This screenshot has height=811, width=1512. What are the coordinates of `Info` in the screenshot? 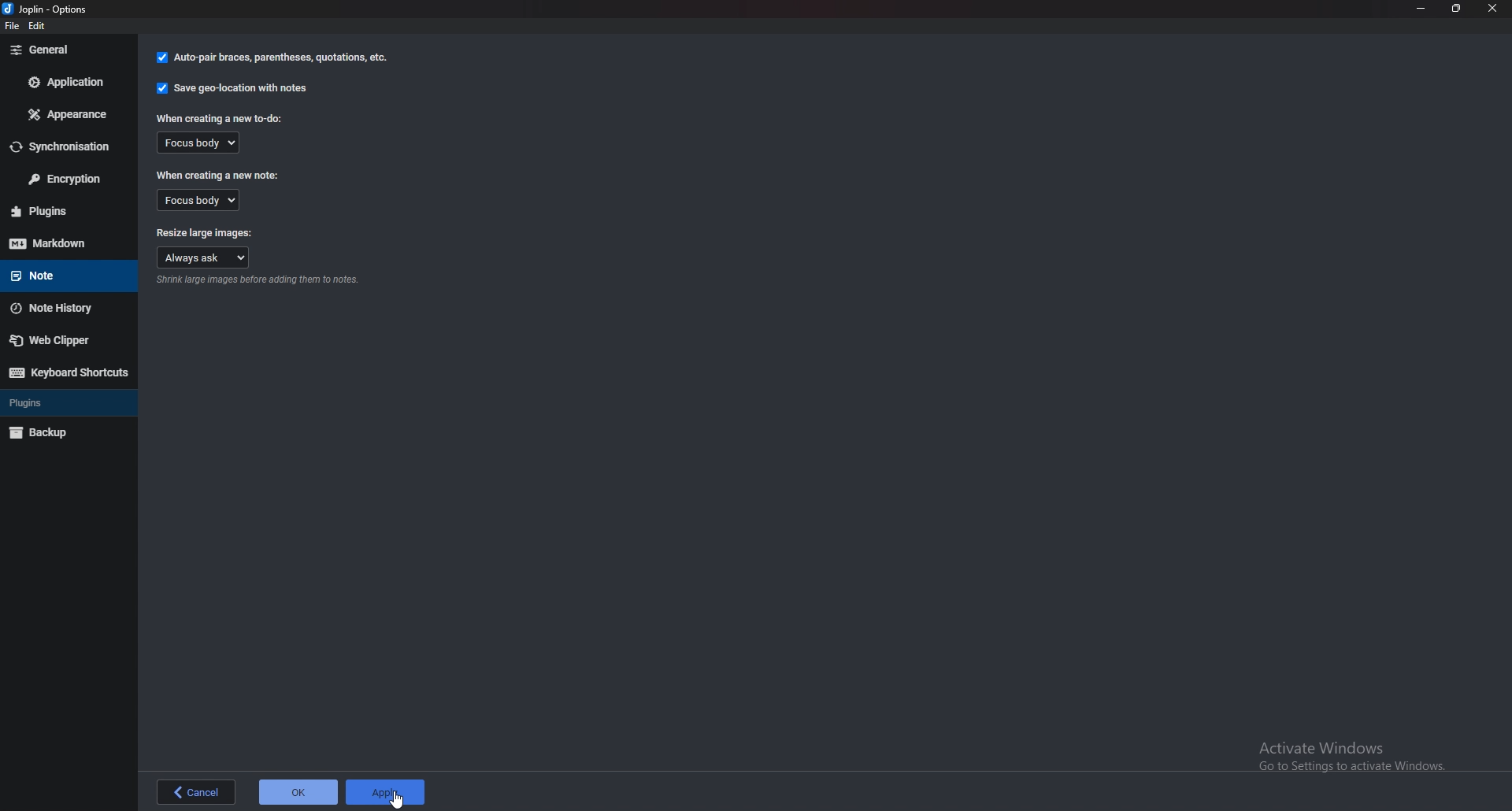 It's located at (261, 280).